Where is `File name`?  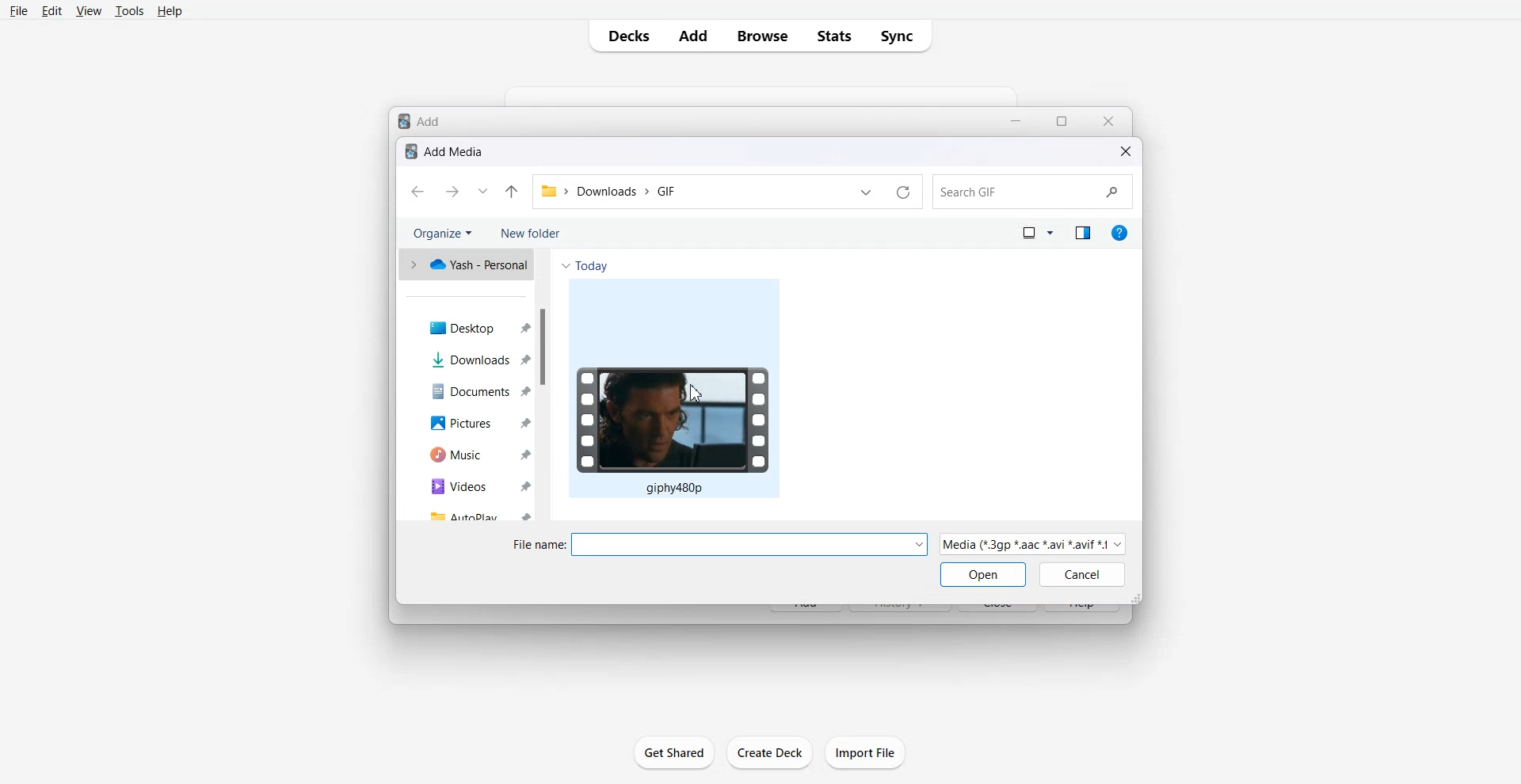 File name is located at coordinates (539, 544).